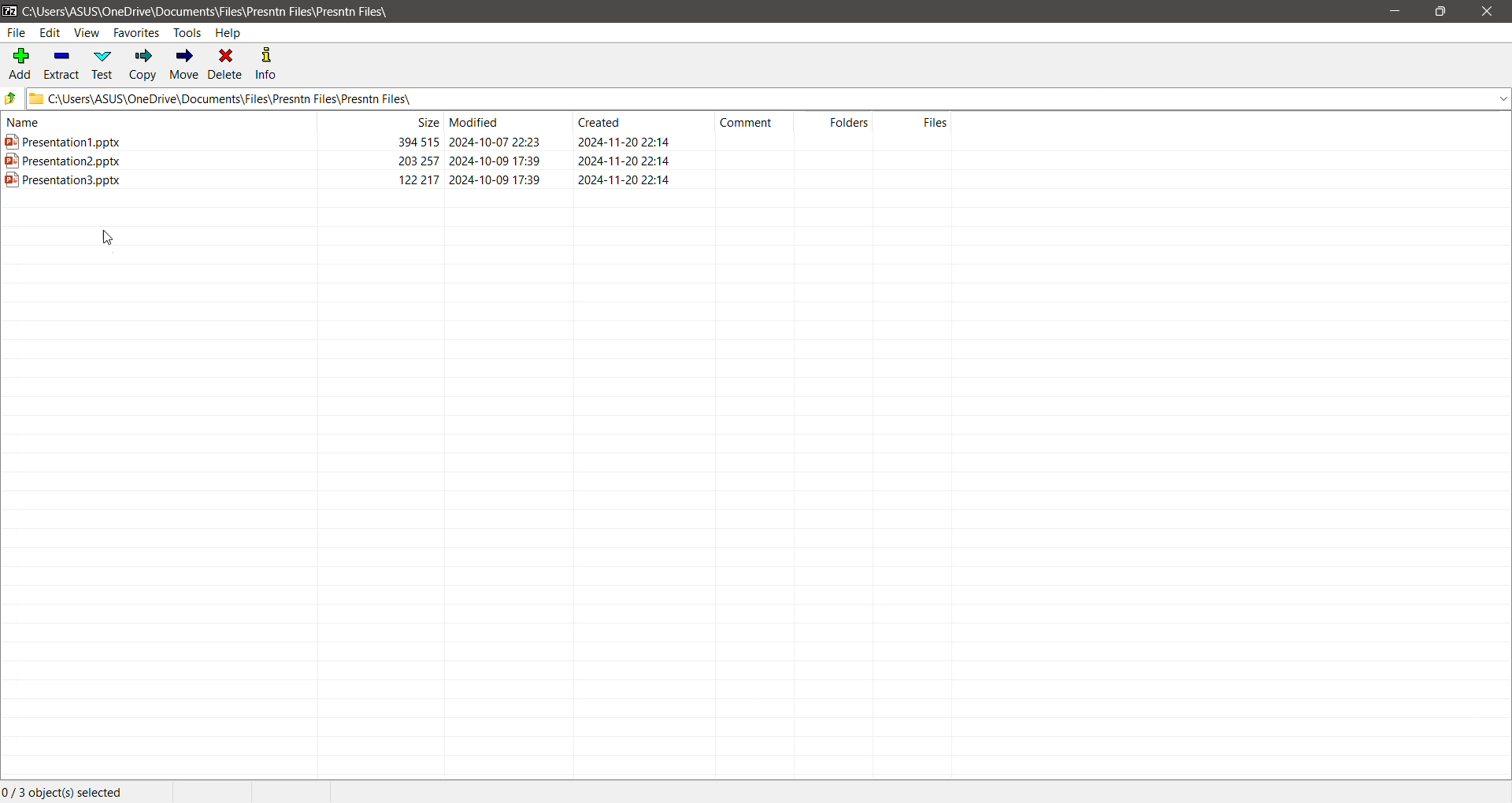 This screenshot has height=803, width=1512. What do you see at coordinates (418, 160) in the screenshot?
I see `size` at bounding box center [418, 160].